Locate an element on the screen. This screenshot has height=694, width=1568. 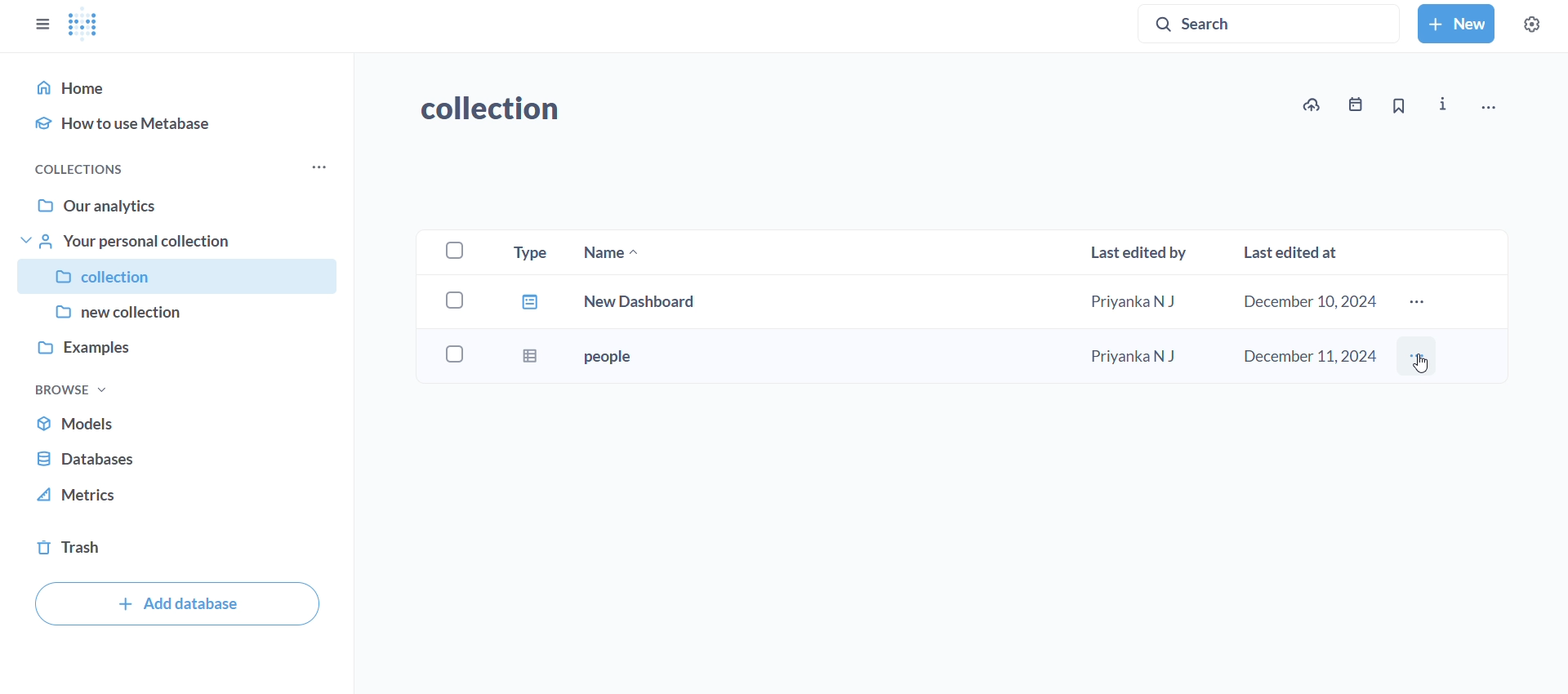
Priyanka N J is located at coordinates (1134, 355).